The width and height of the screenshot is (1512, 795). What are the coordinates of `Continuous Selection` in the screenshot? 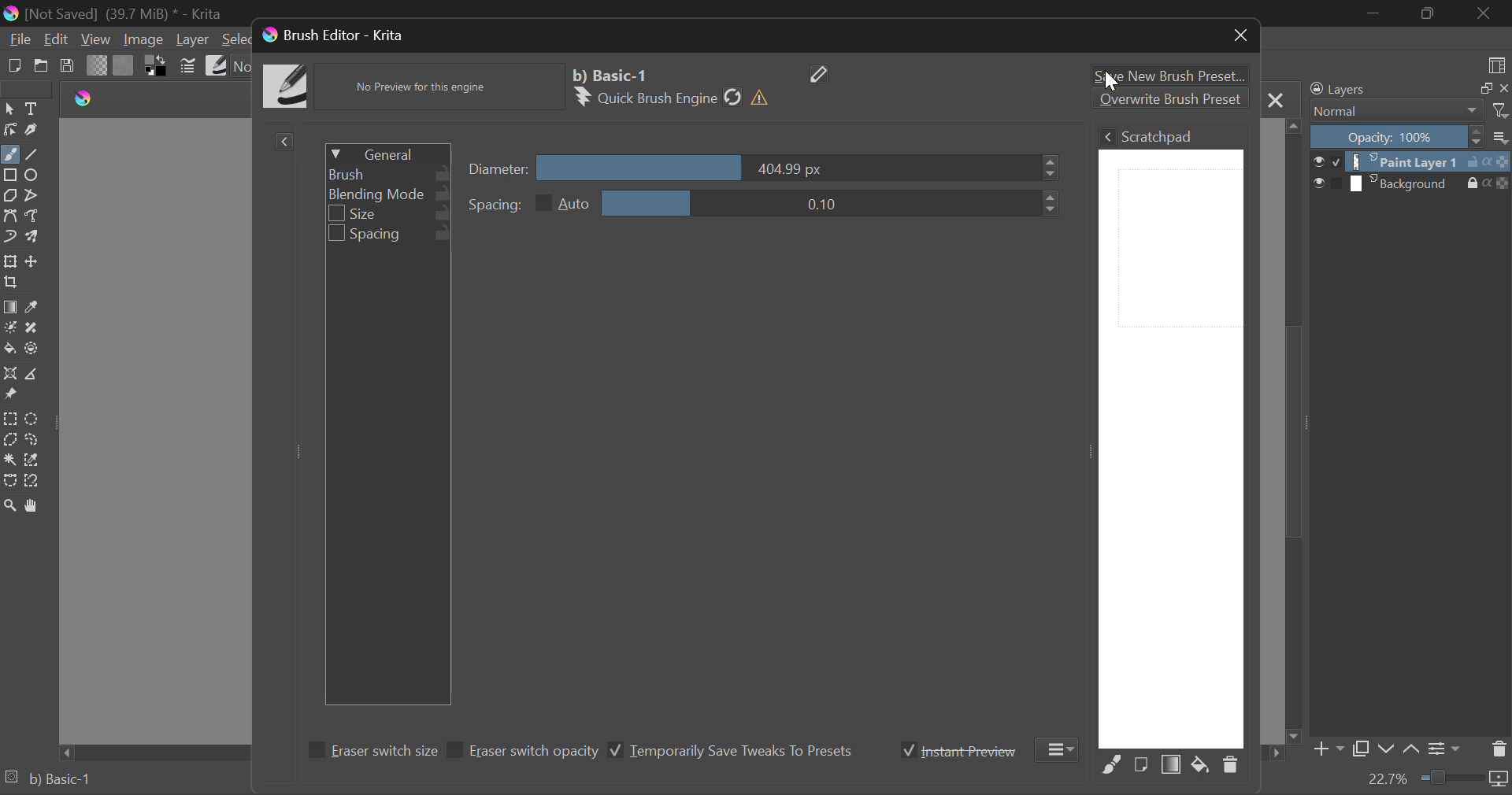 It's located at (9, 460).